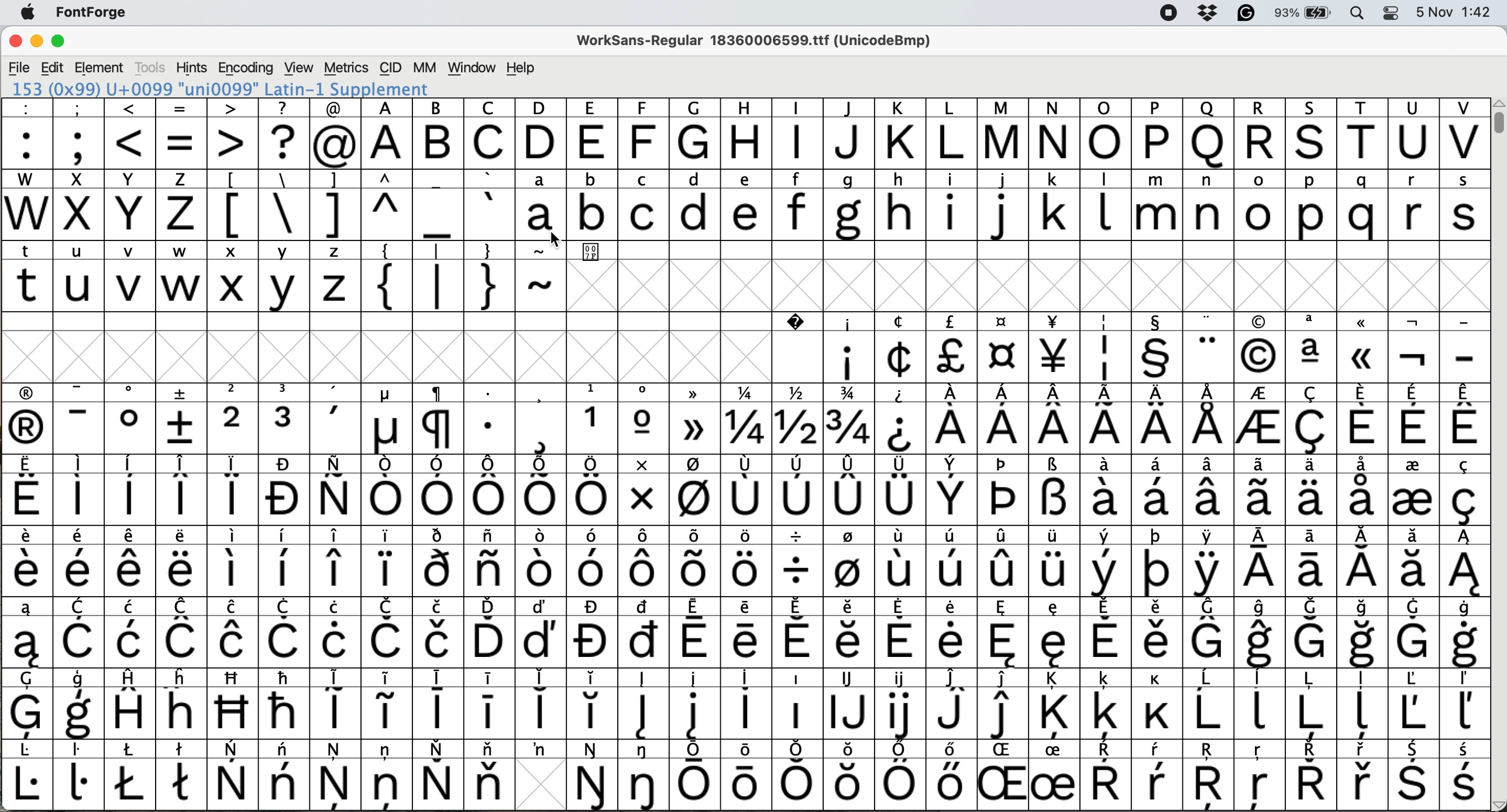 This screenshot has height=812, width=1507. What do you see at coordinates (952, 419) in the screenshot?
I see `symbol` at bounding box center [952, 419].